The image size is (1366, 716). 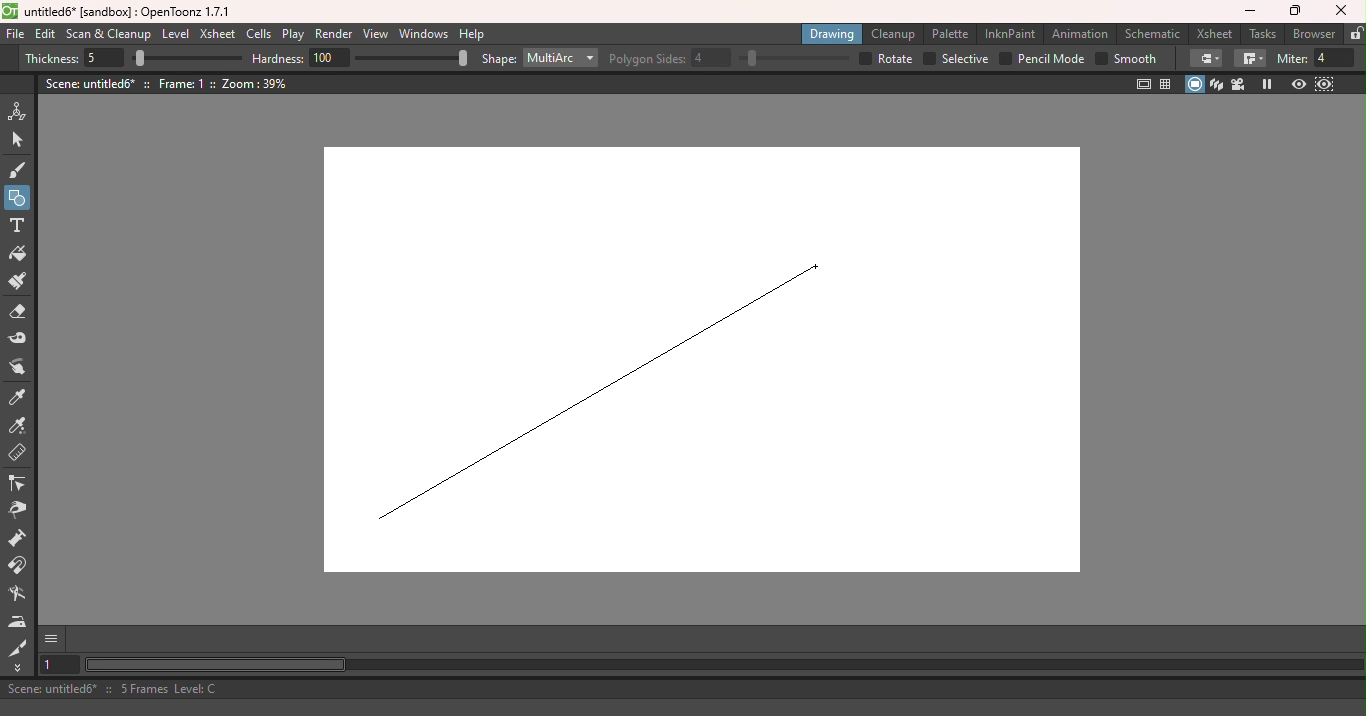 What do you see at coordinates (20, 539) in the screenshot?
I see `Pump tool` at bounding box center [20, 539].